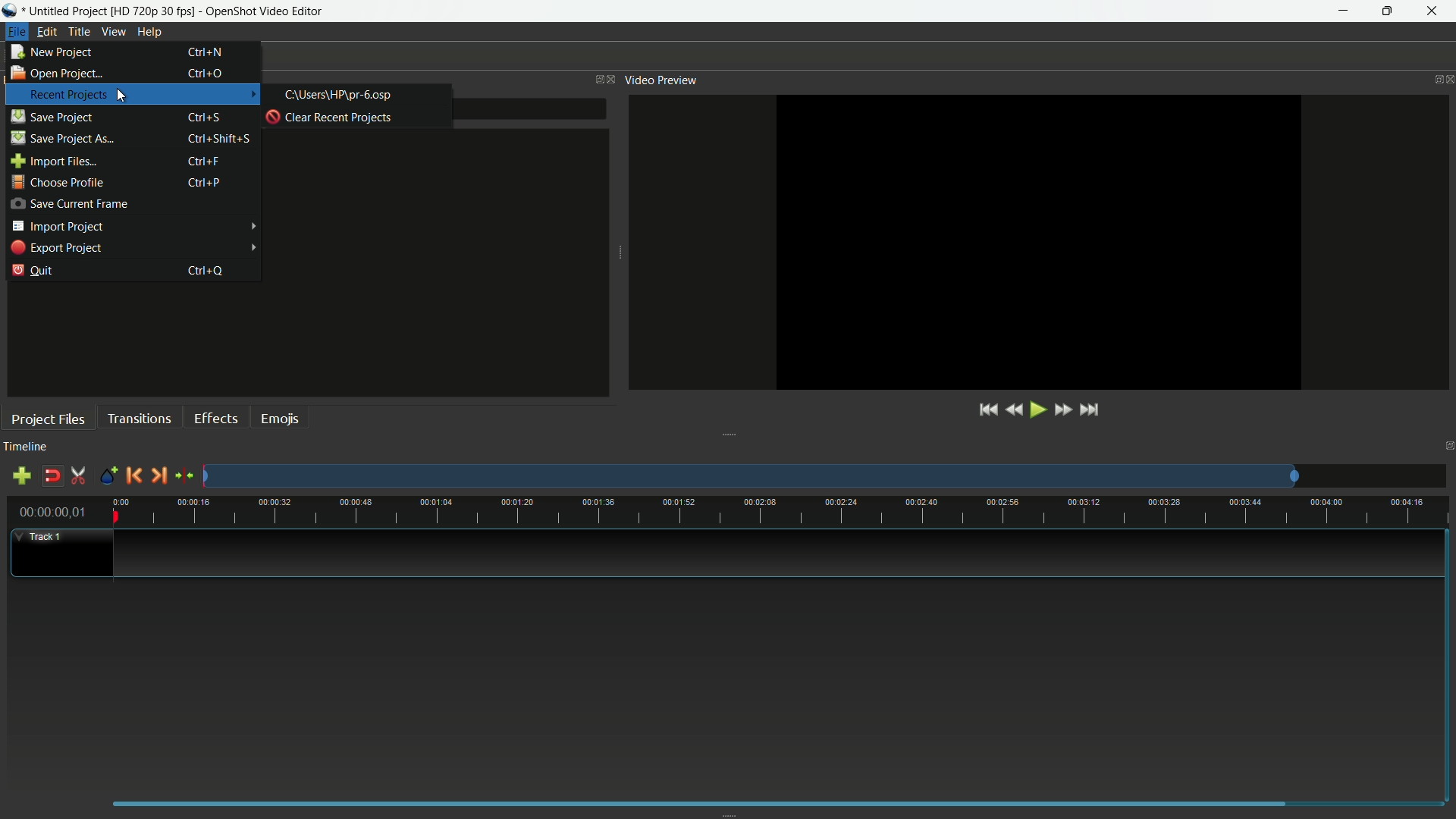 This screenshot has height=819, width=1456. I want to click on app name, so click(265, 11).